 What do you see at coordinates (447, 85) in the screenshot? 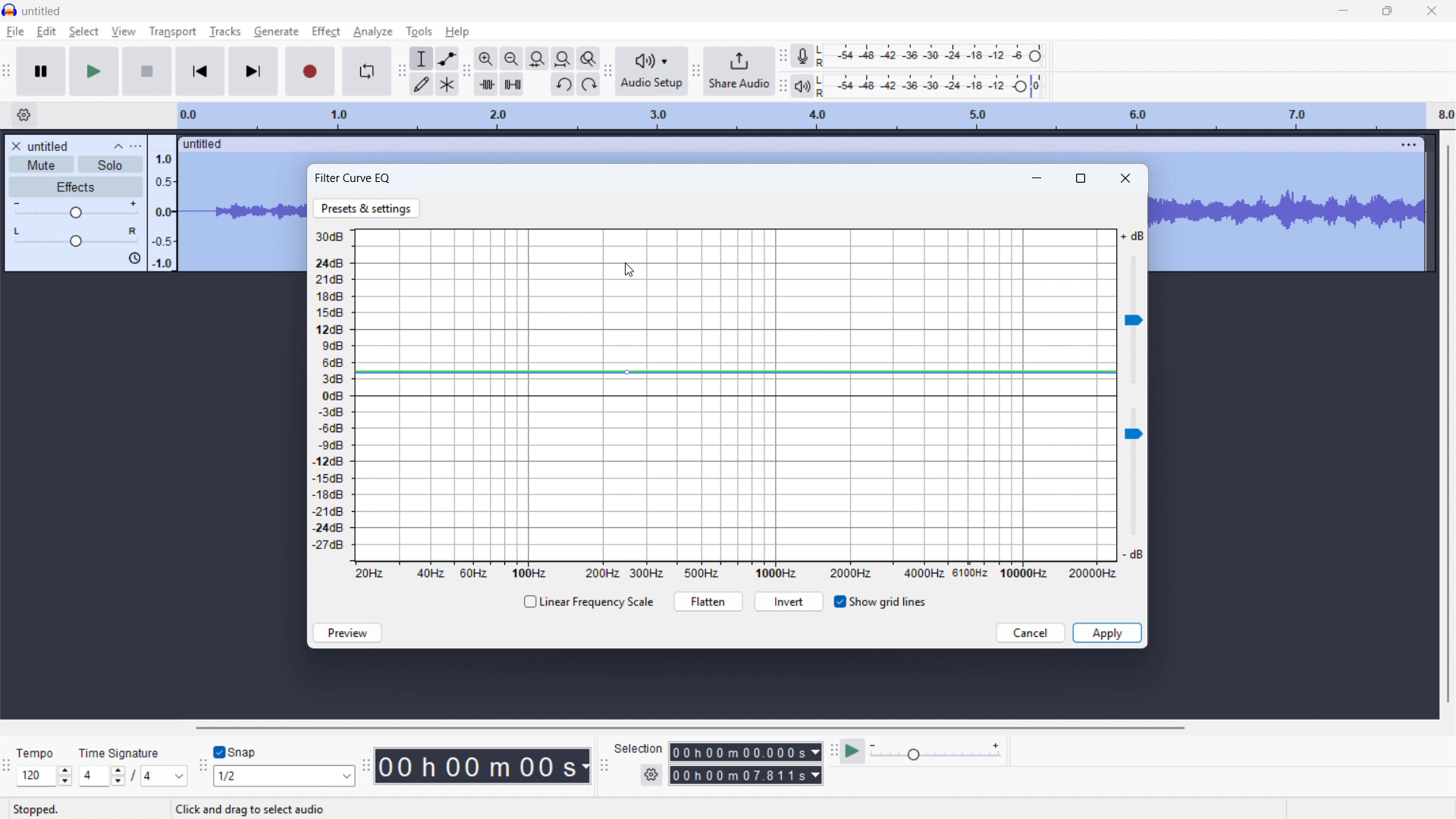
I see `Multi tool ` at bounding box center [447, 85].